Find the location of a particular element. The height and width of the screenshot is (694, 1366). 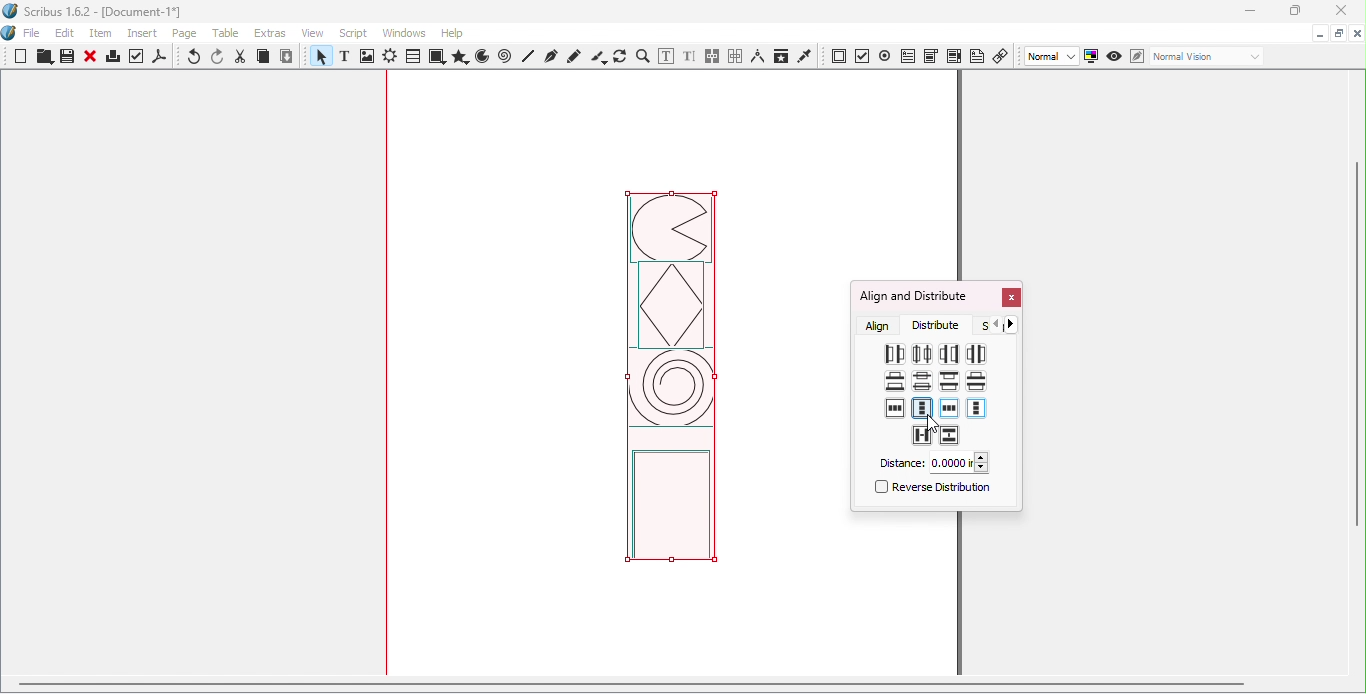

Toggle color management system is located at coordinates (1092, 55).